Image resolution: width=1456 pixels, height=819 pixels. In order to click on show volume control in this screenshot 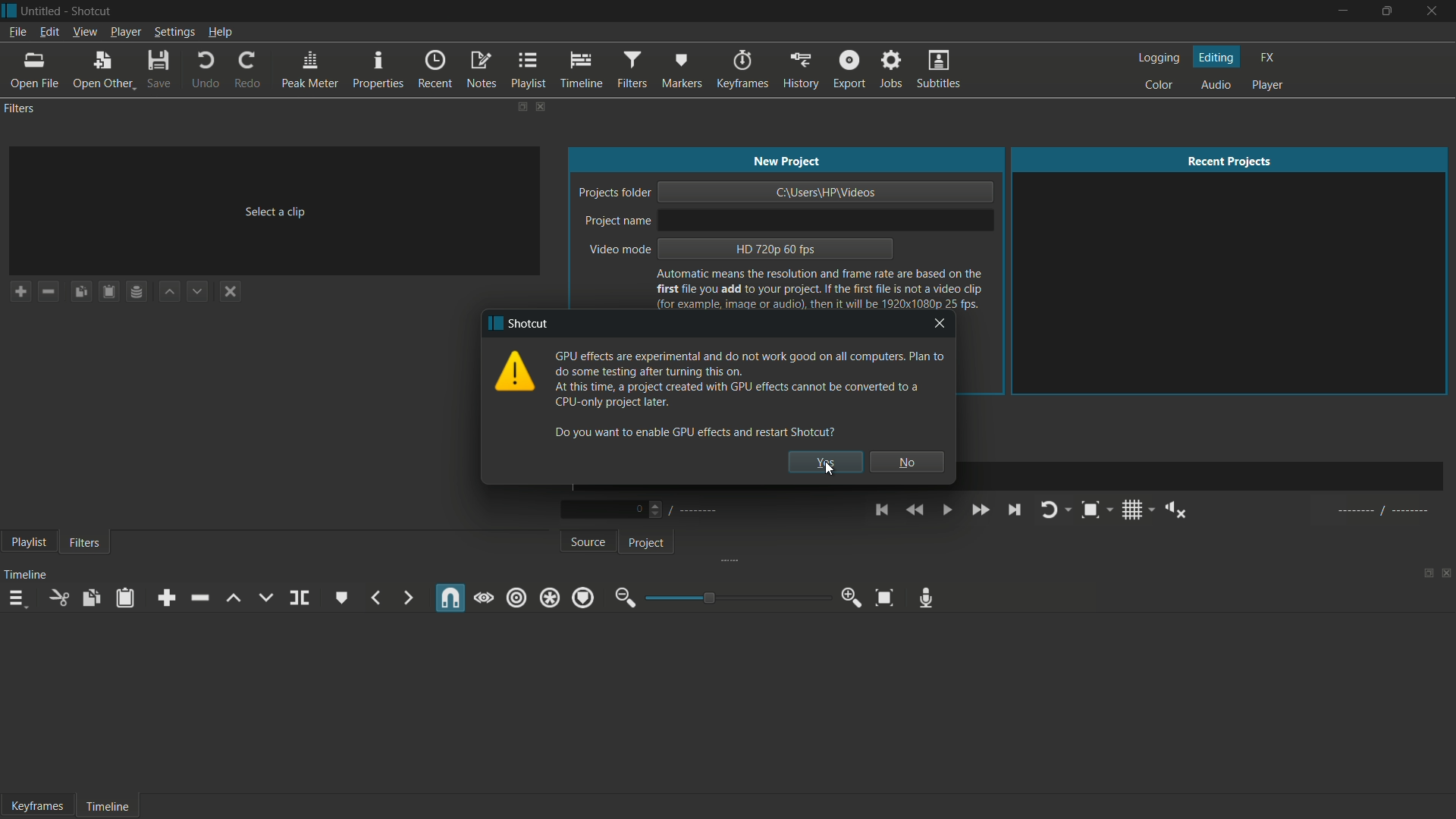, I will do `click(1178, 510)`.